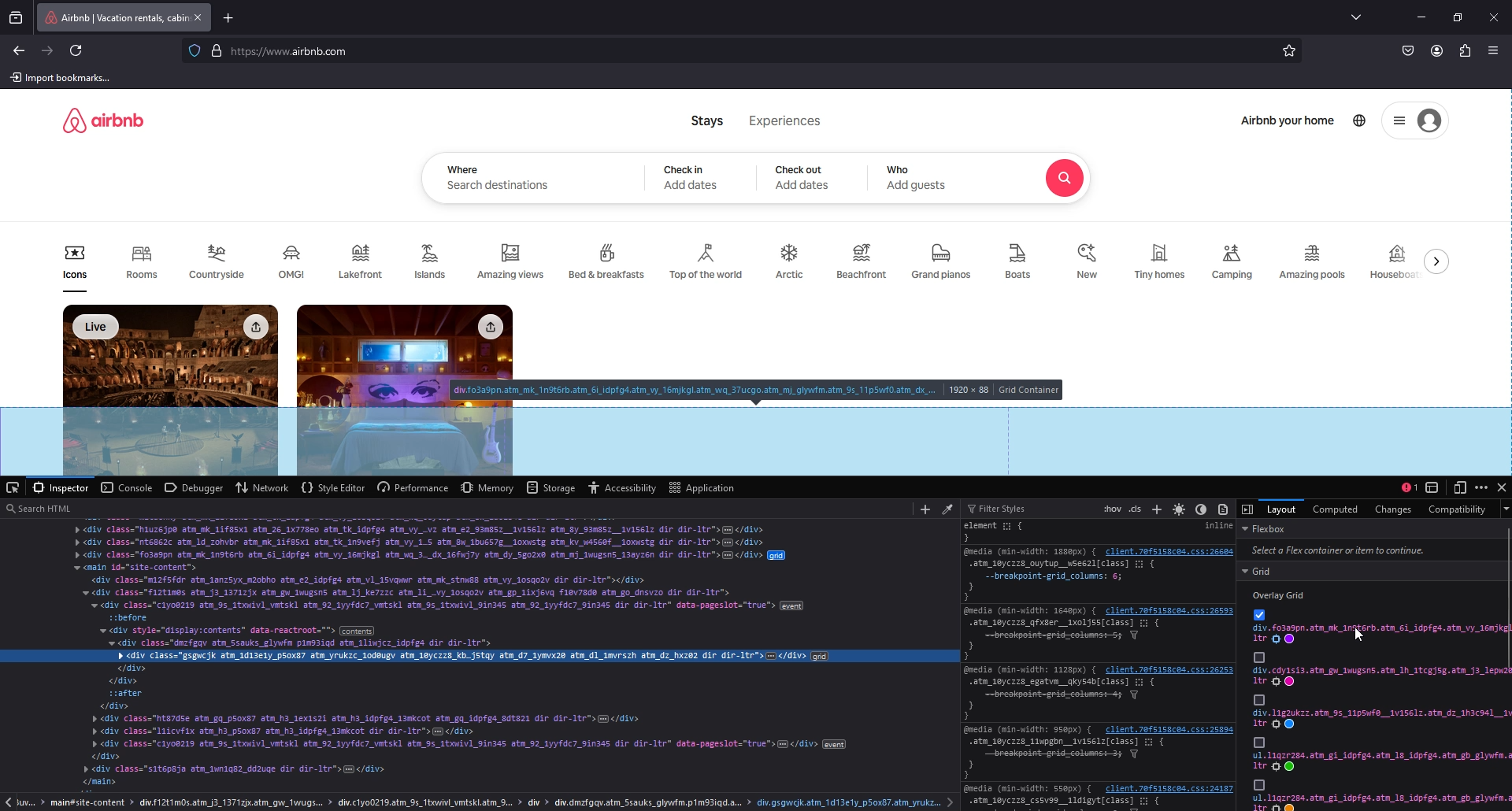 This screenshot has height=811, width=1512. What do you see at coordinates (295, 262) in the screenshot?
I see `OMG!` at bounding box center [295, 262].